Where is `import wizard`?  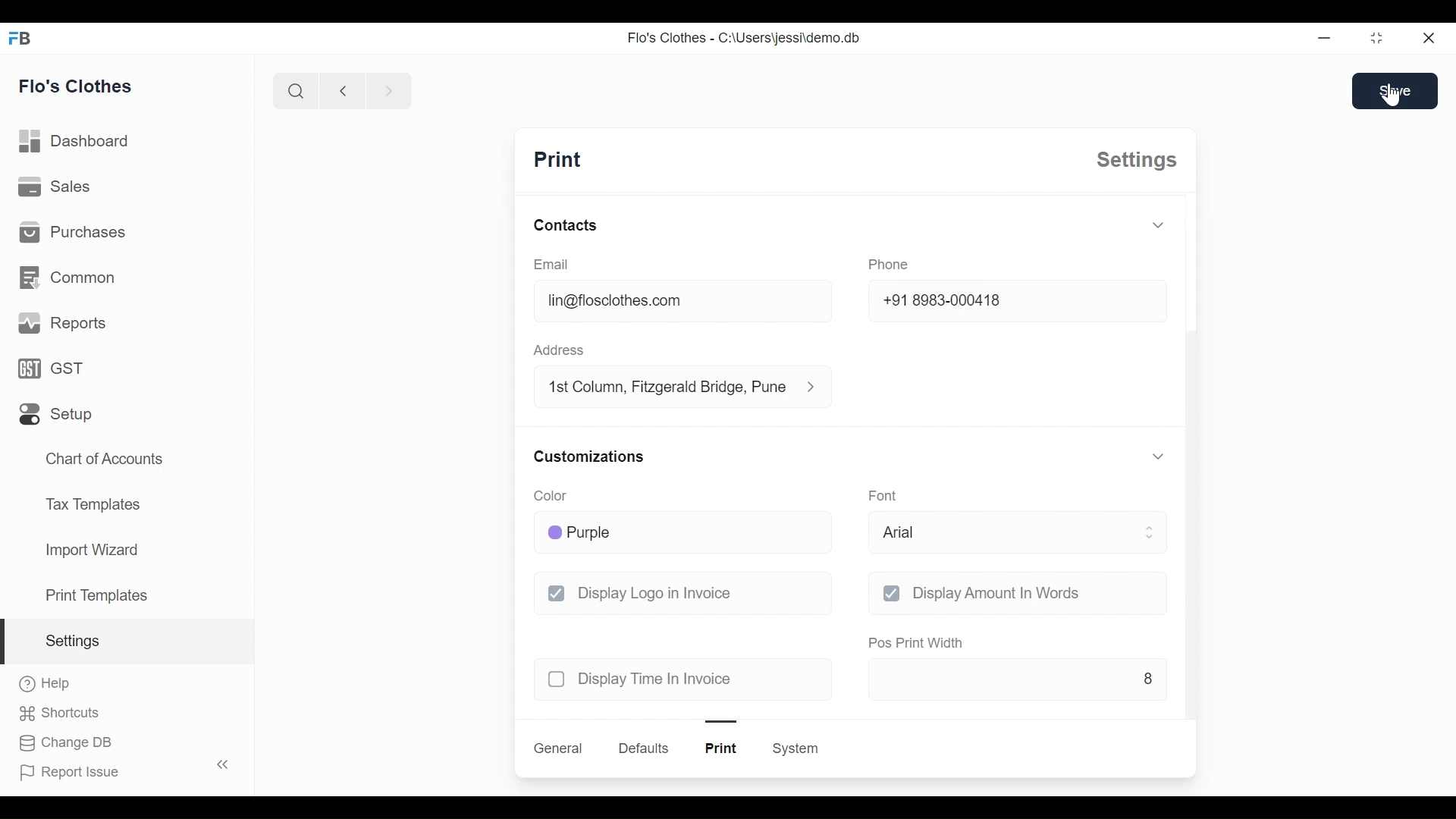
import wizard is located at coordinates (91, 550).